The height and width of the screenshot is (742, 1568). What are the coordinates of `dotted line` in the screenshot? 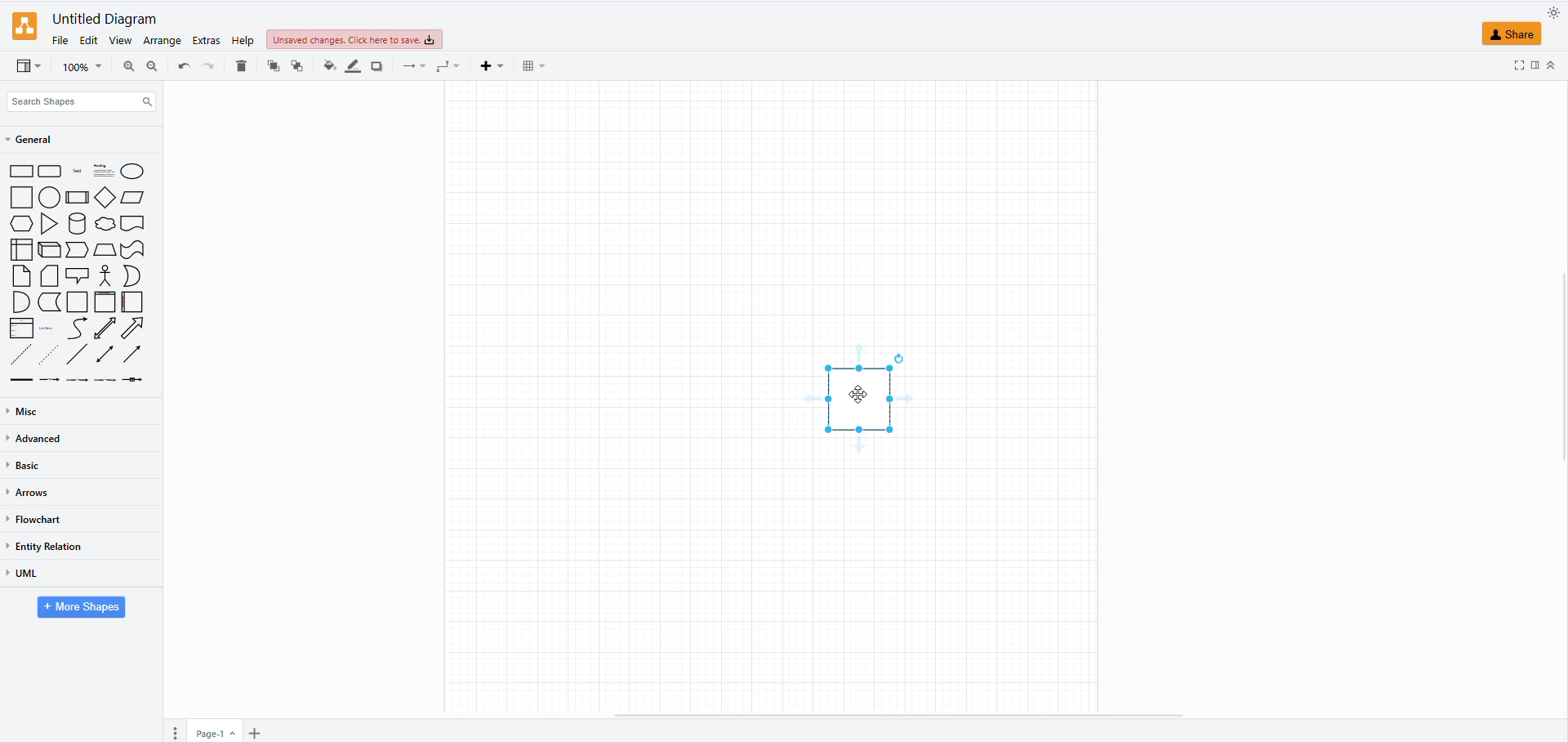 It's located at (51, 354).